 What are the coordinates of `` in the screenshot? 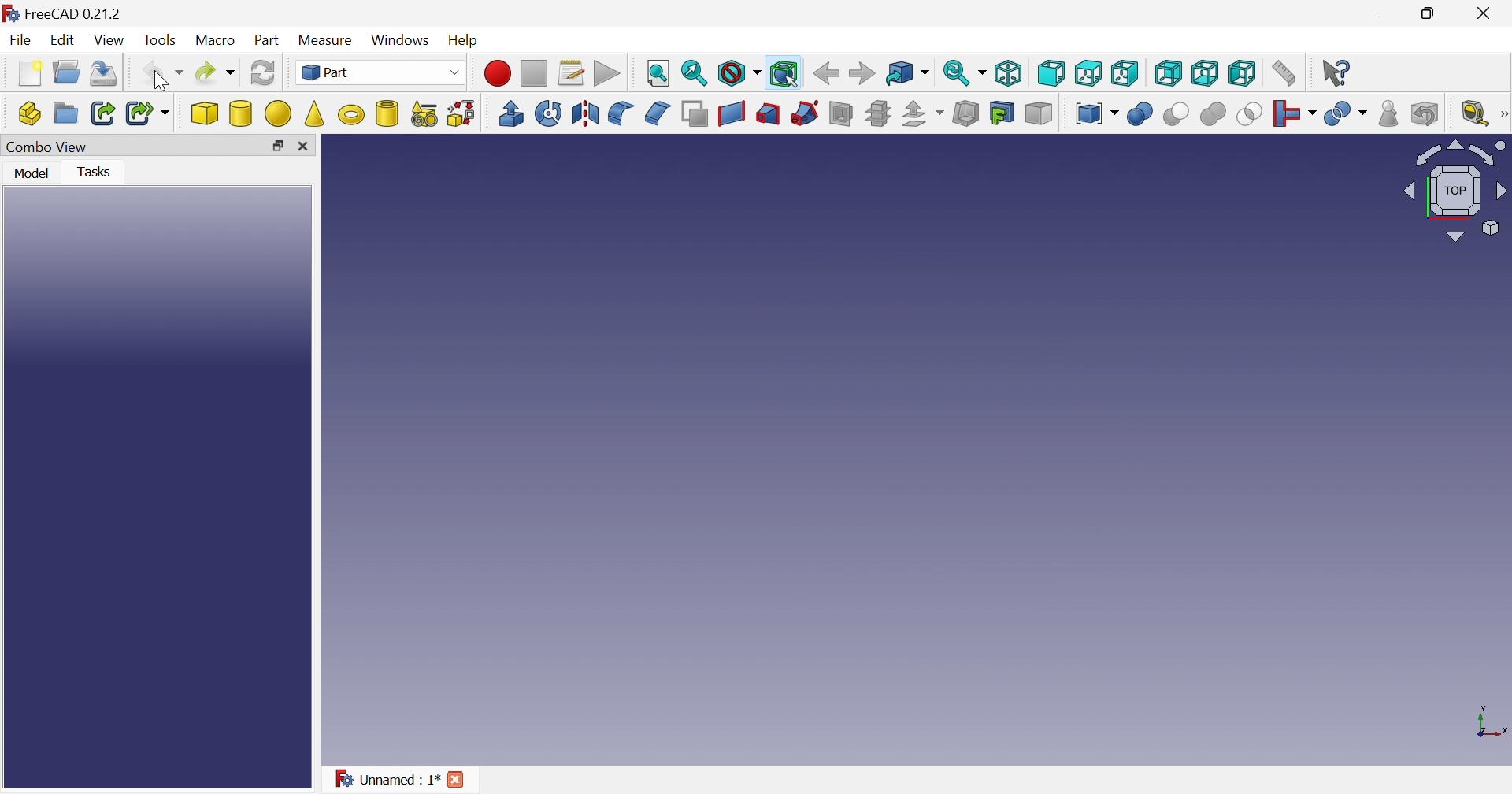 It's located at (303, 145).